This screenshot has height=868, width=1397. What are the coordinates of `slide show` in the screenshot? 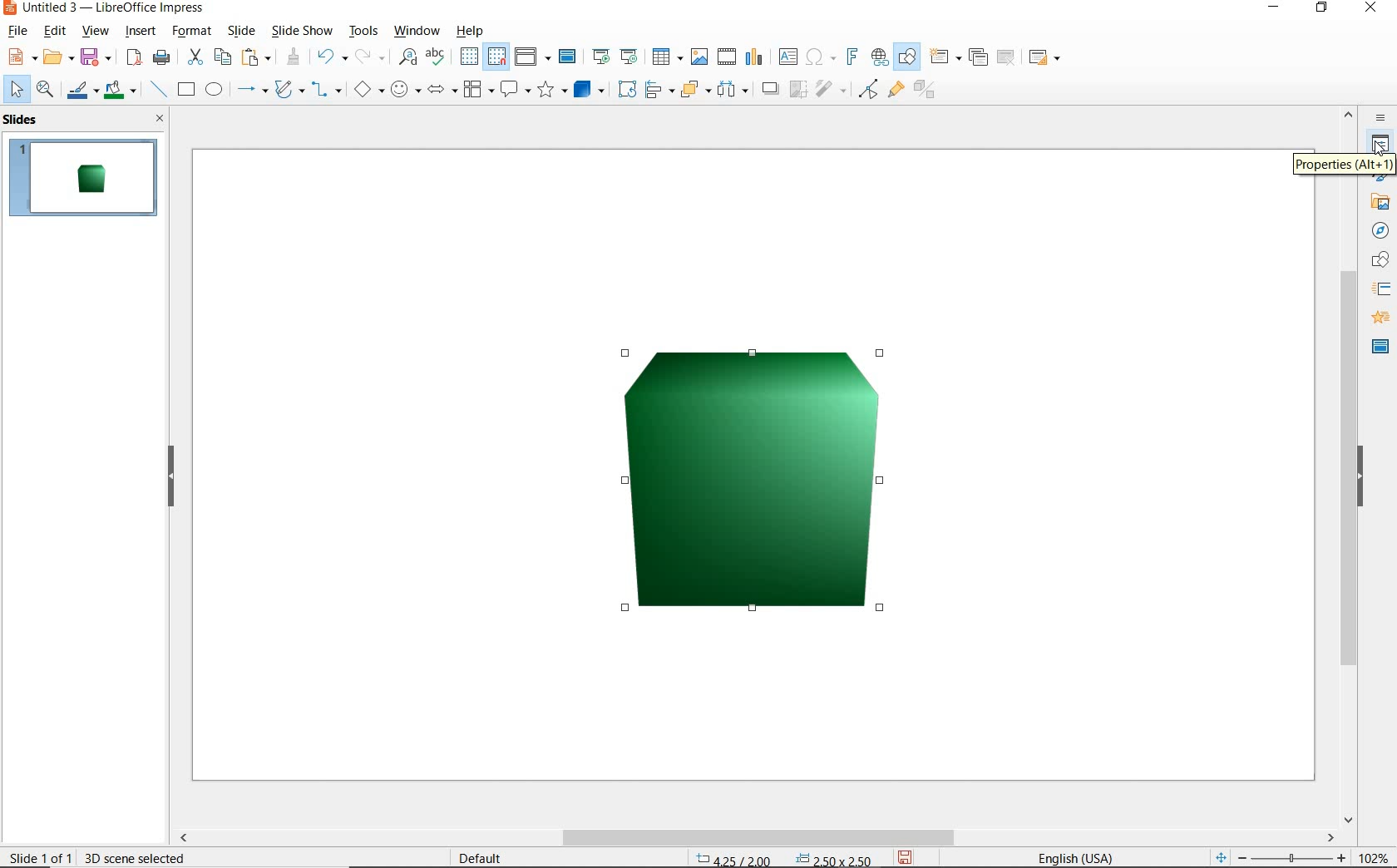 It's located at (304, 31).